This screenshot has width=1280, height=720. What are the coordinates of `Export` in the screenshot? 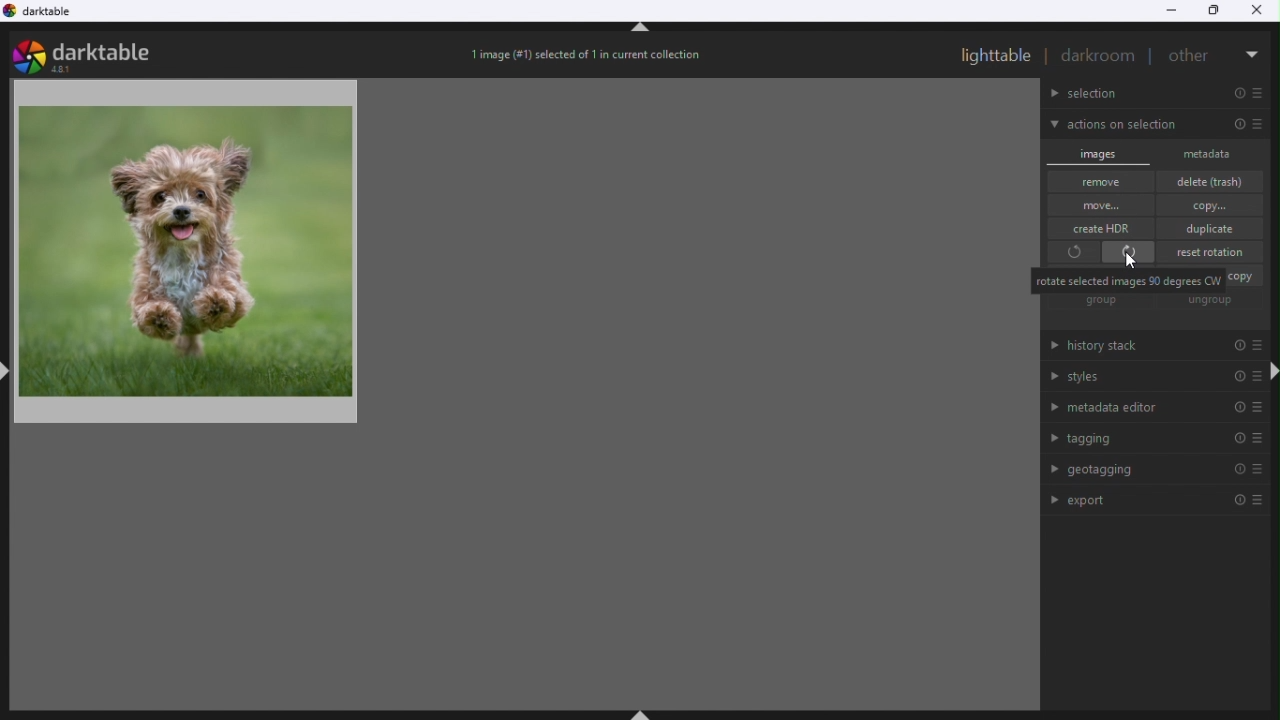 It's located at (1162, 499).